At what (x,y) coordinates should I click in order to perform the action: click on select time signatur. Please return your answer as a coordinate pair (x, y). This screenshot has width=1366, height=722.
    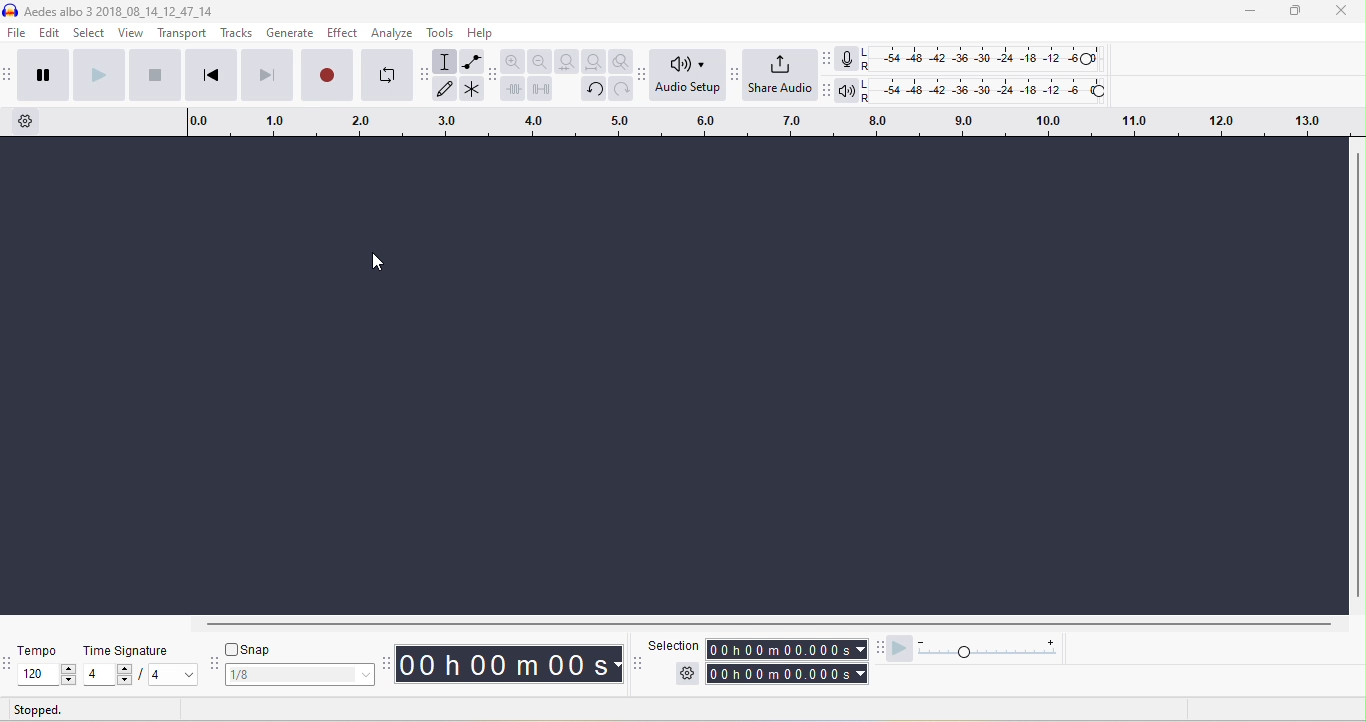
    Looking at the image, I should click on (143, 676).